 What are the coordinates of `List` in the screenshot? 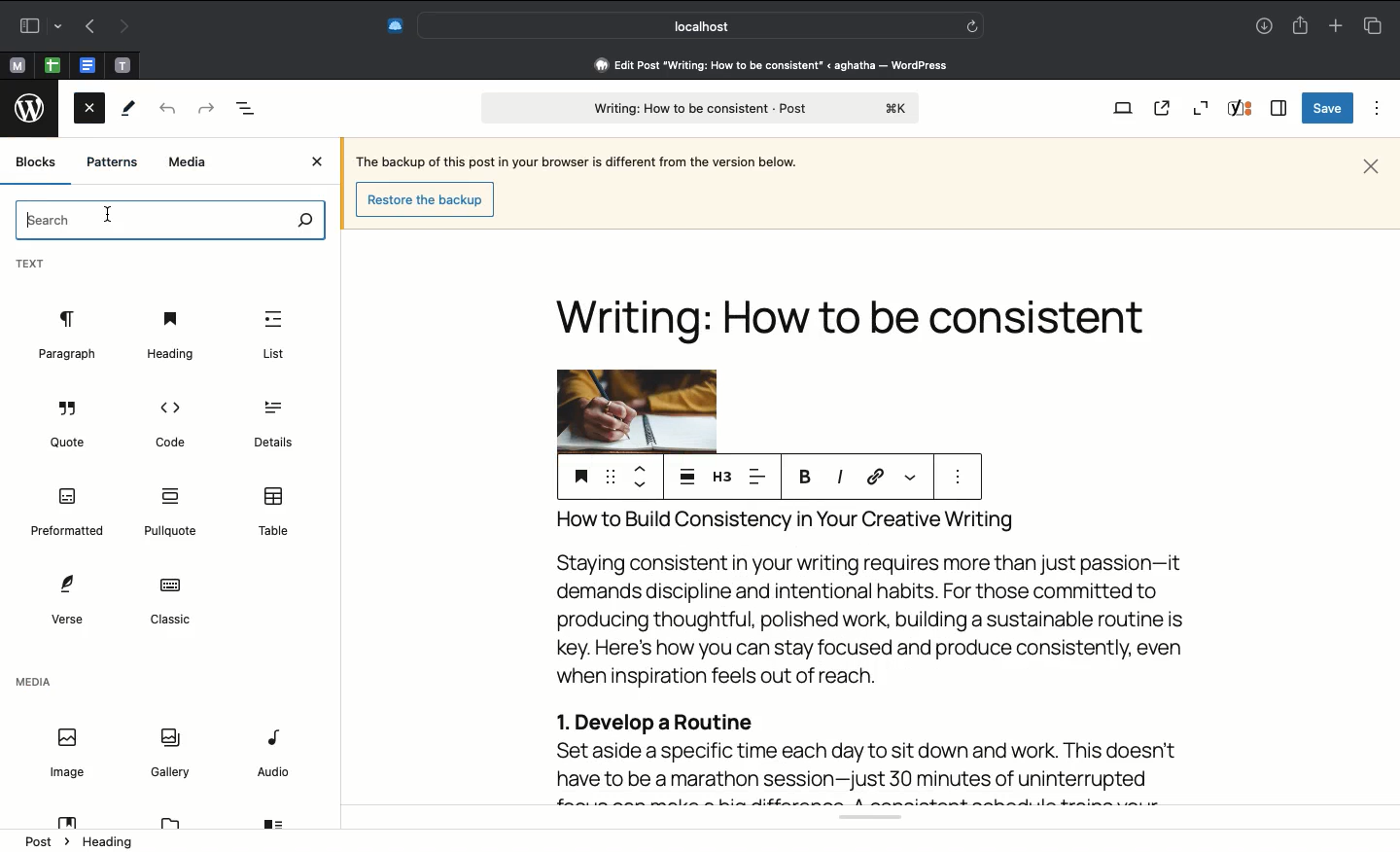 It's located at (273, 336).